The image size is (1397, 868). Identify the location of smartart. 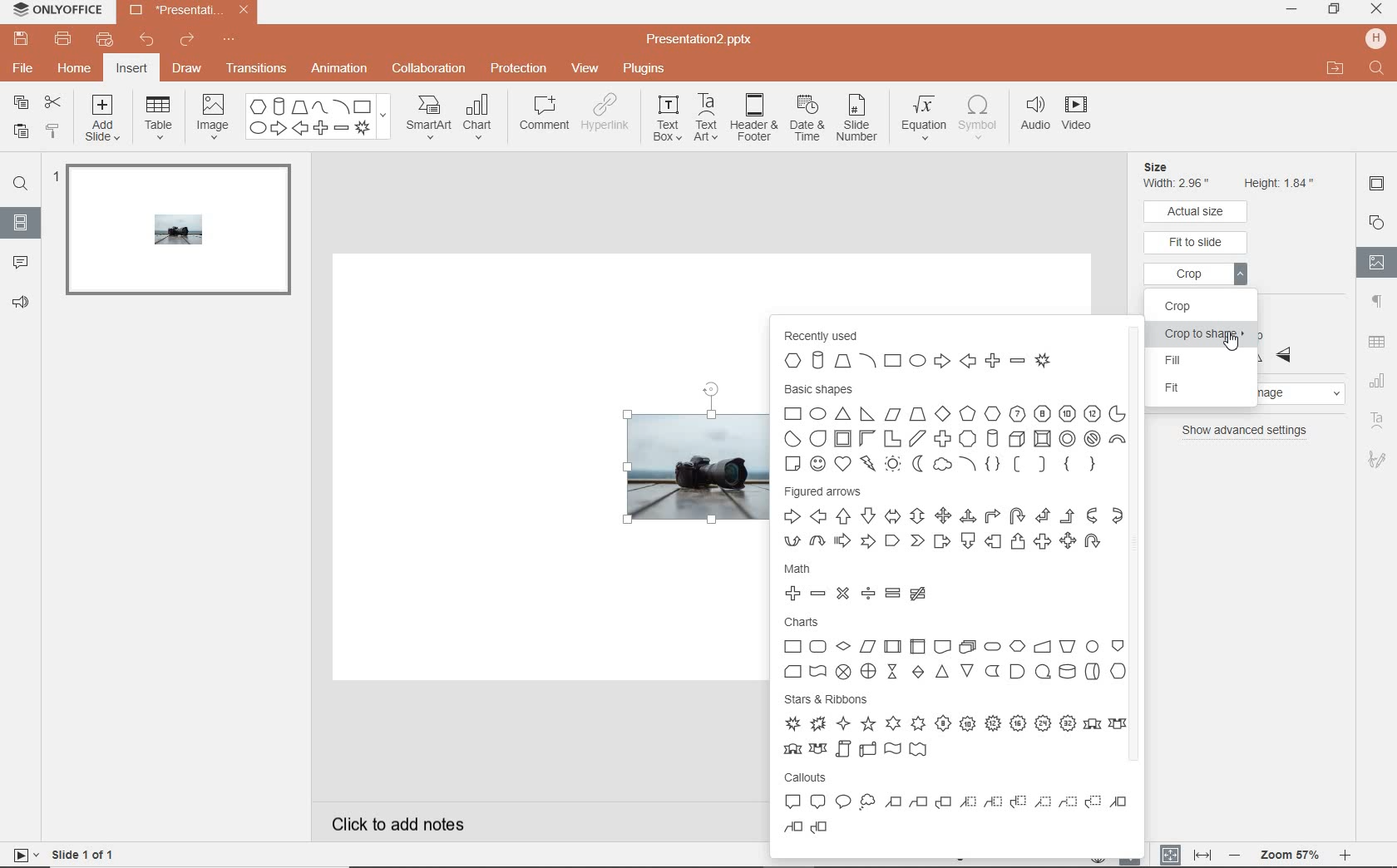
(427, 118).